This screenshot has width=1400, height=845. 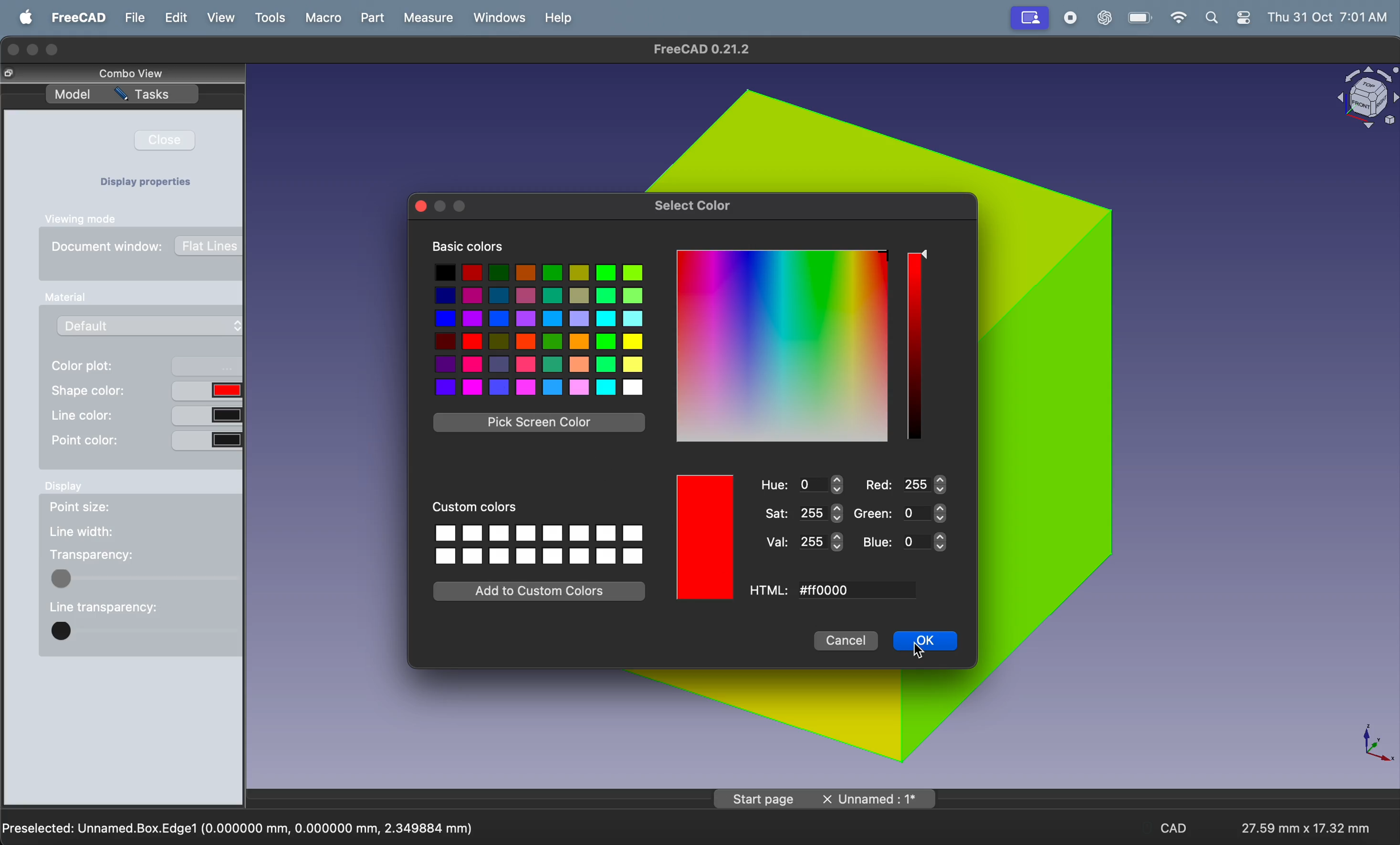 What do you see at coordinates (1370, 742) in the screenshot?
I see `axis` at bounding box center [1370, 742].